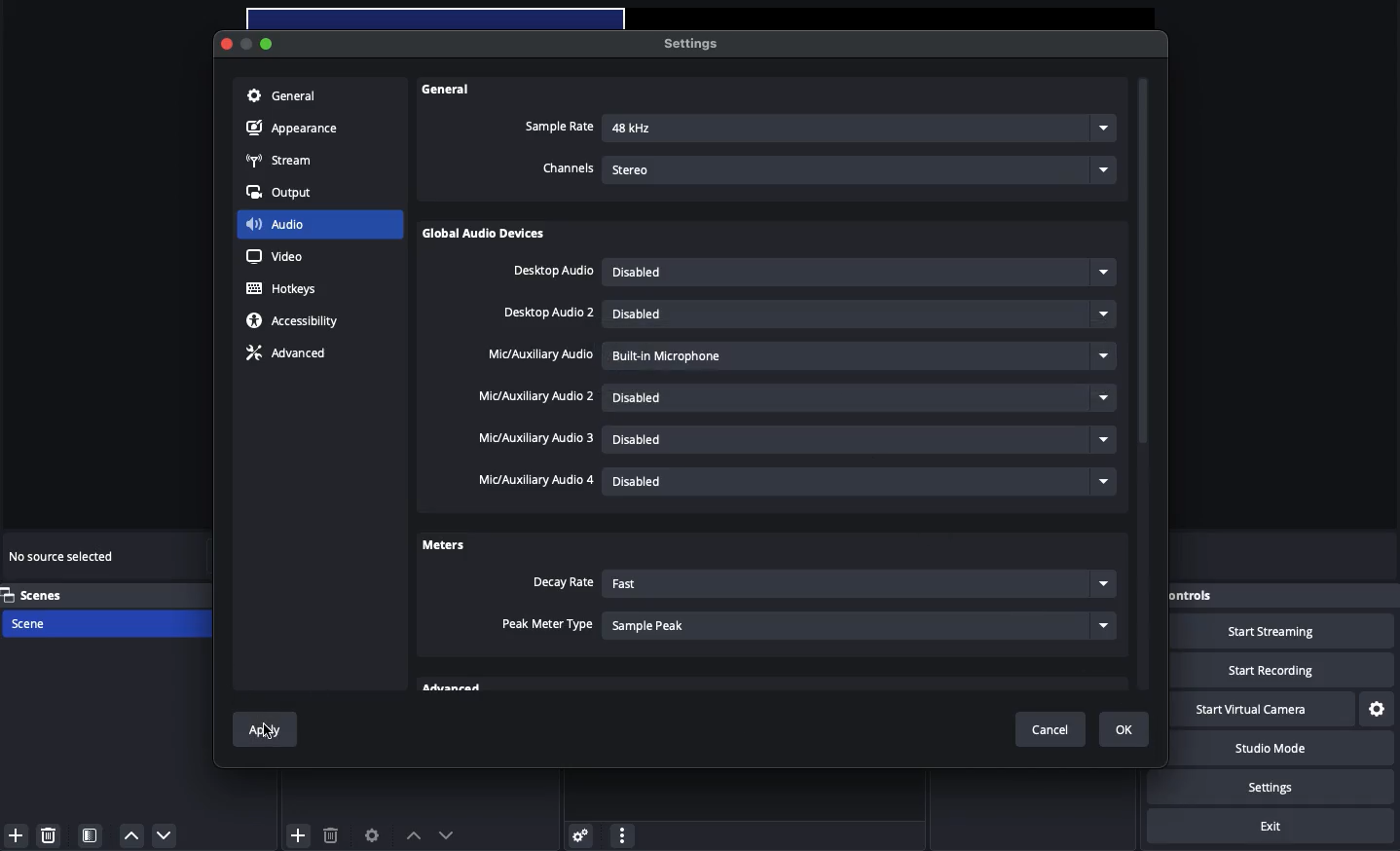 This screenshot has height=851, width=1400. I want to click on Settings, so click(577, 834).